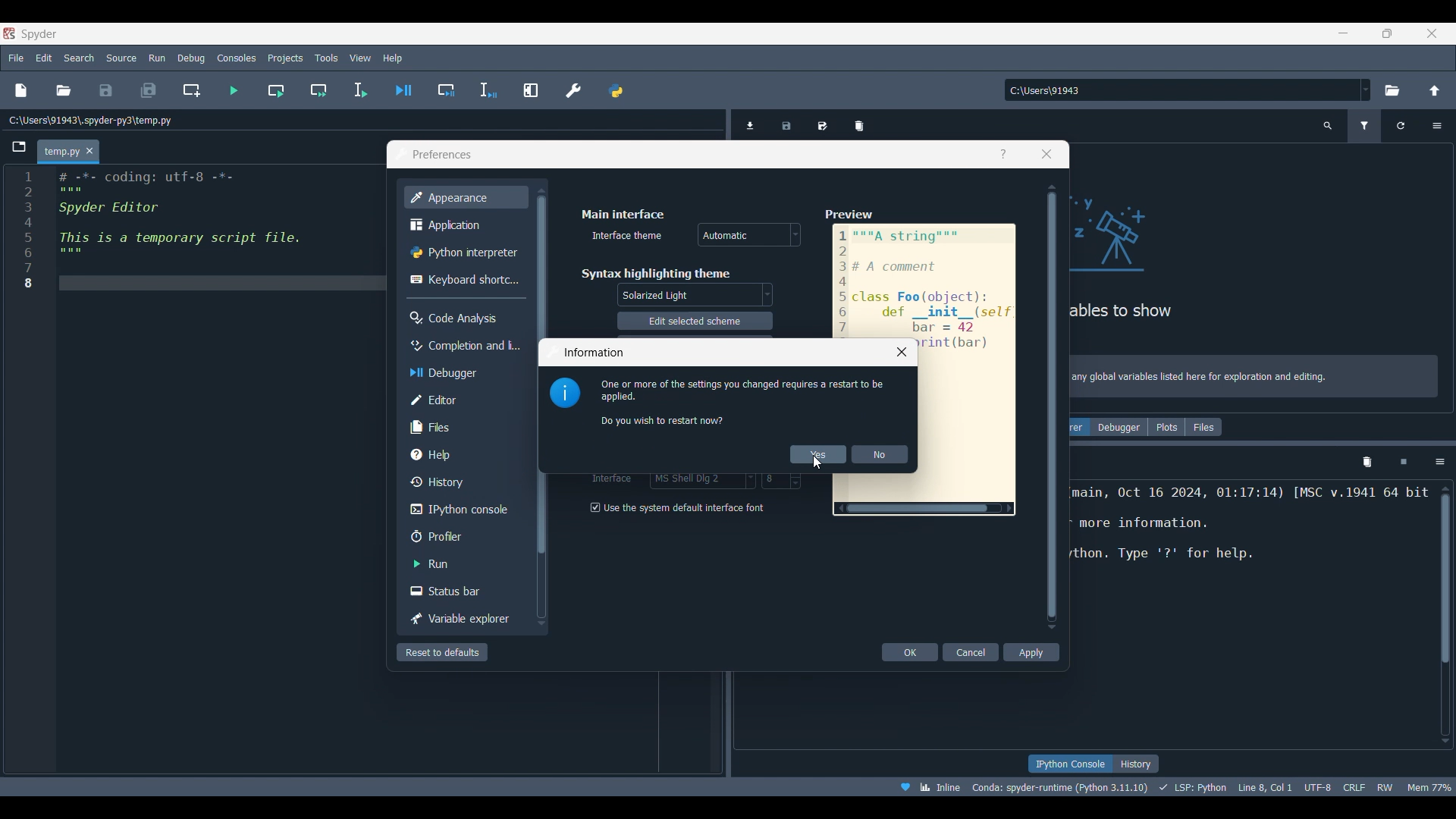 This screenshot has width=1456, height=819. What do you see at coordinates (107, 90) in the screenshot?
I see `Save file` at bounding box center [107, 90].